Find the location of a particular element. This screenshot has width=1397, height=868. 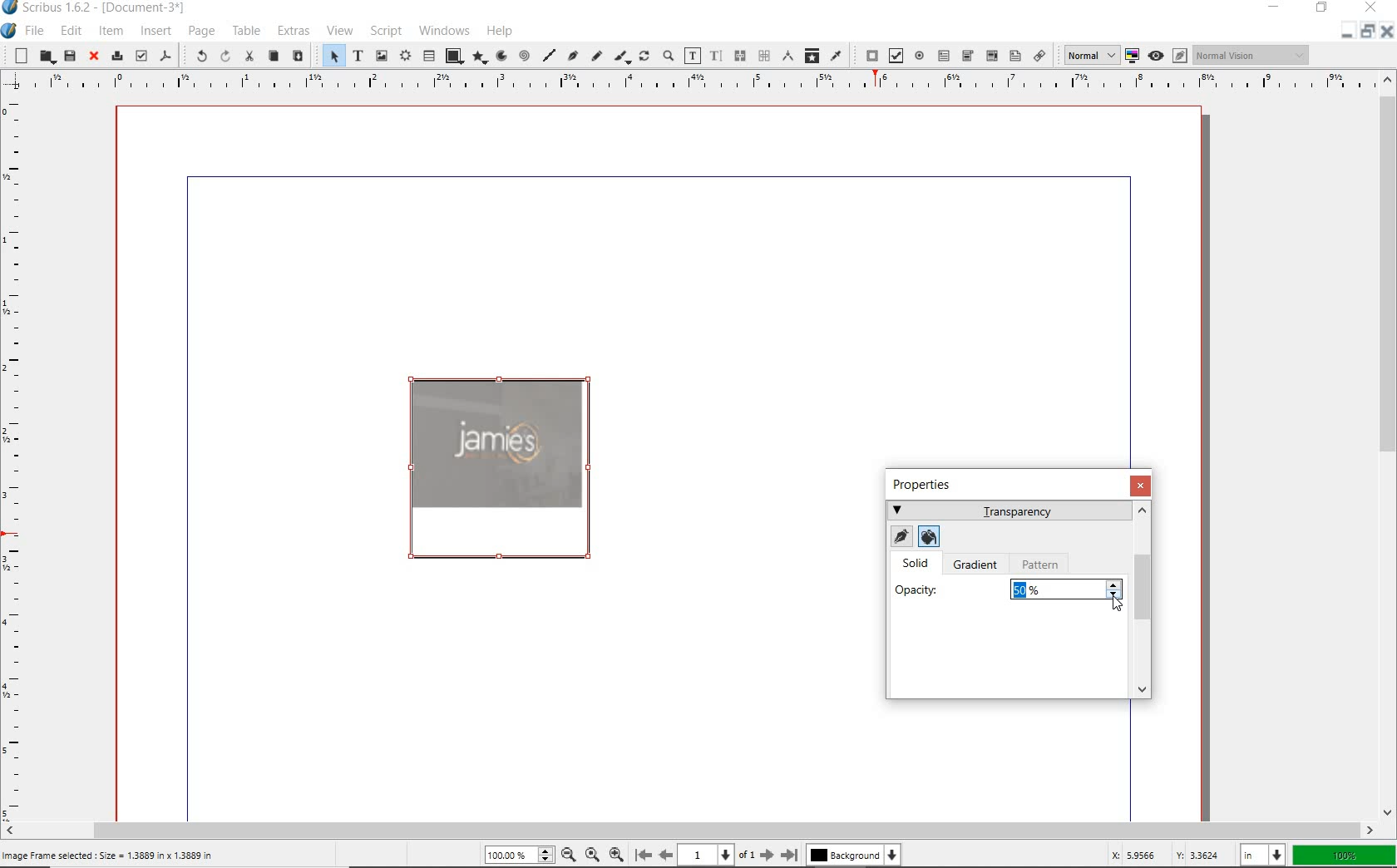

zoom out is located at coordinates (569, 856).